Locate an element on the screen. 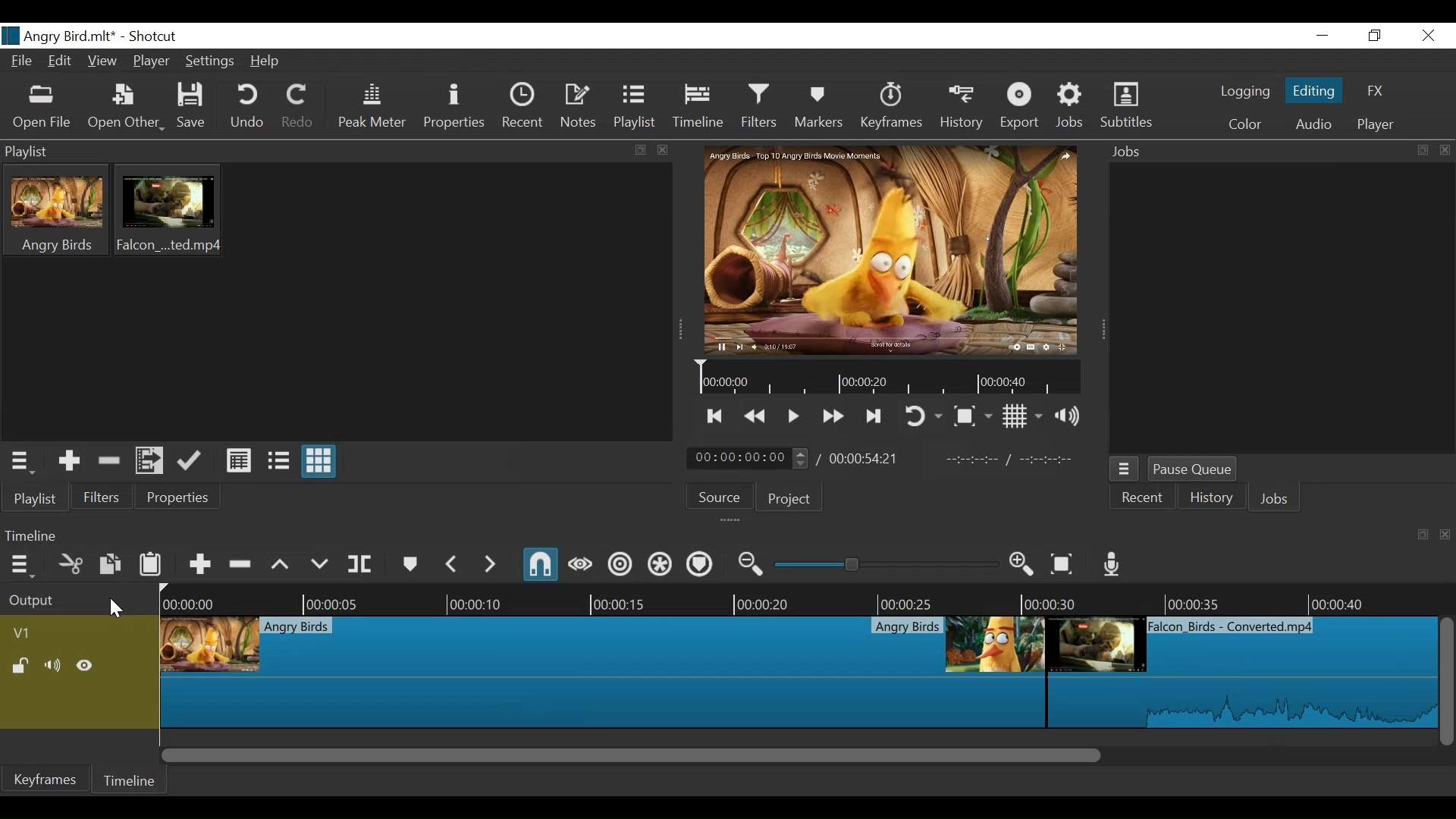  Copy is located at coordinates (110, 564).